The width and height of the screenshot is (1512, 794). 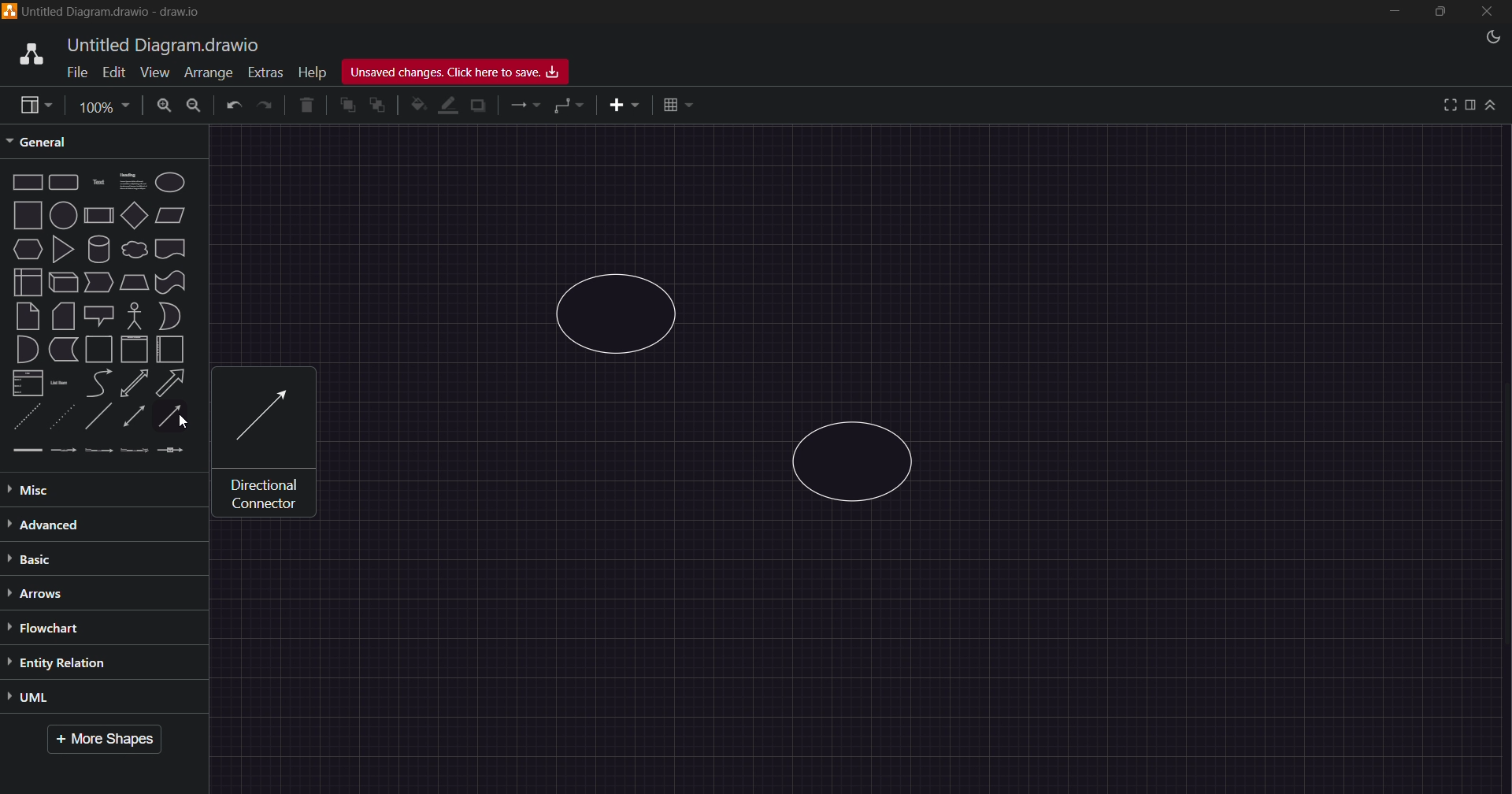 What do you see at coordinates (862, 462) in the screenshot?
I see `Circle 2` at bounding box center [862, 462].